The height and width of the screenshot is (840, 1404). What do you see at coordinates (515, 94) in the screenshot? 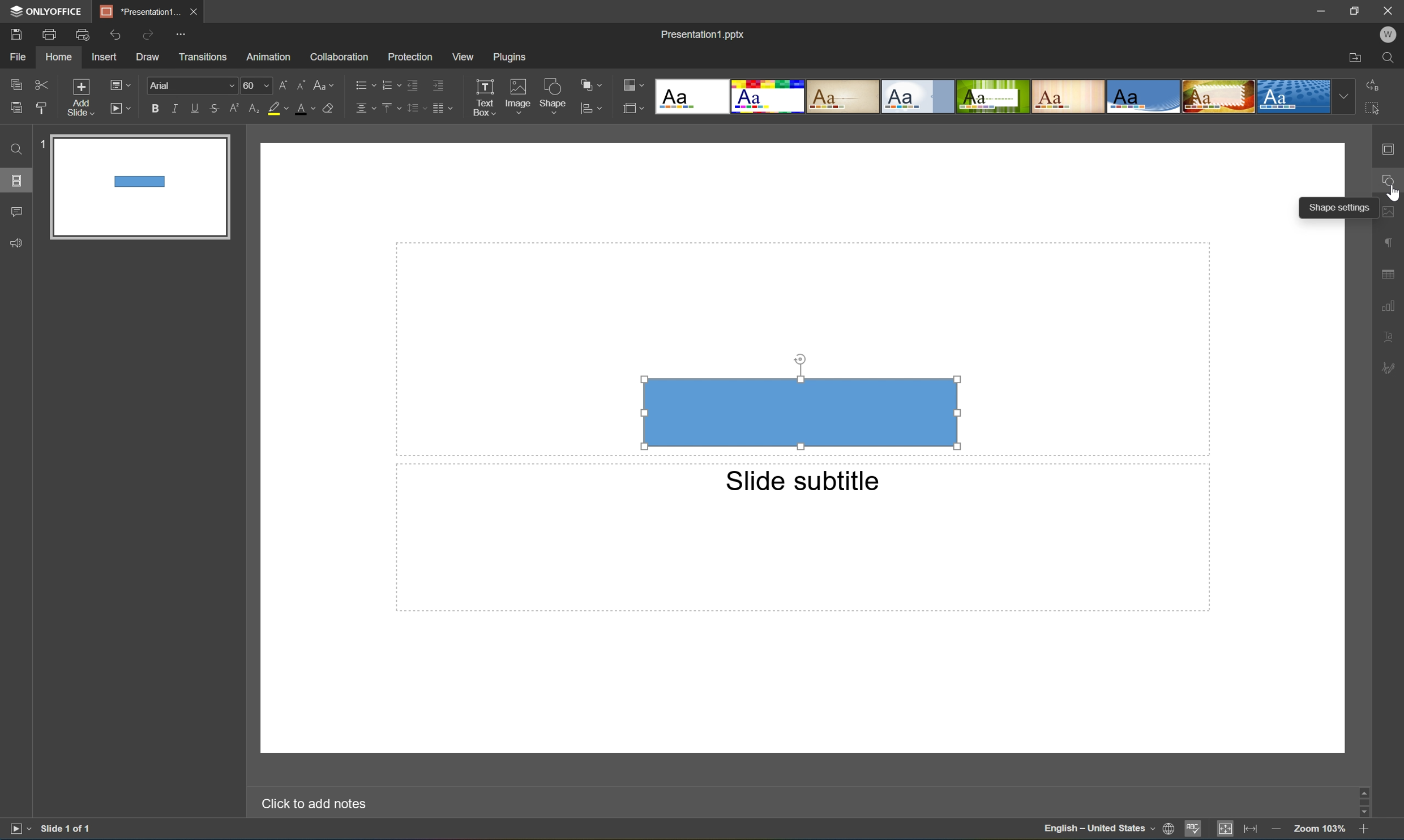
I see `Image` at bounding box center [515, 94].